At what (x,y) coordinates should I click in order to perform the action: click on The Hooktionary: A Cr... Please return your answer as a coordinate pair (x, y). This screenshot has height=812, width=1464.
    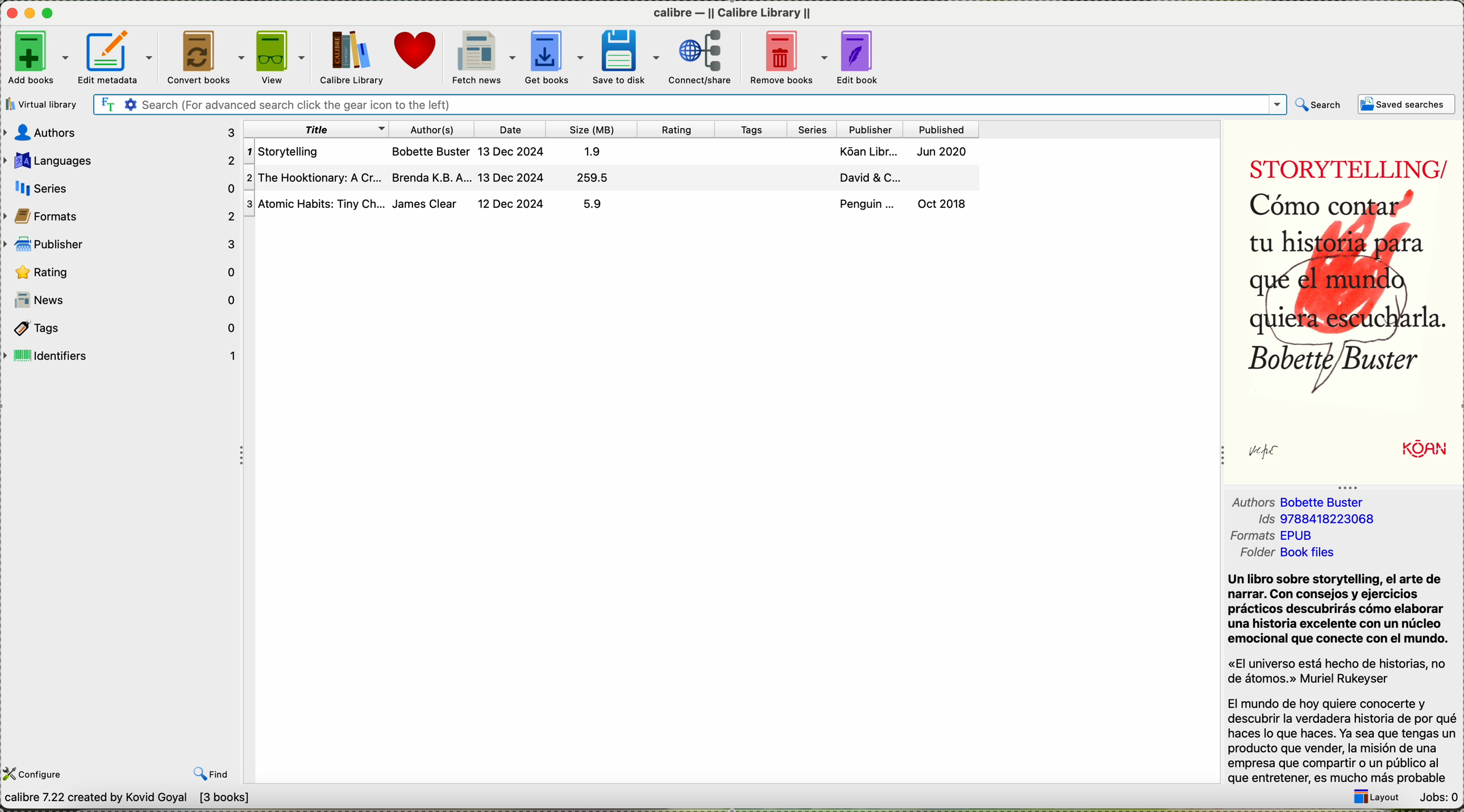
    Looking at the image, I should click on (316, 177).